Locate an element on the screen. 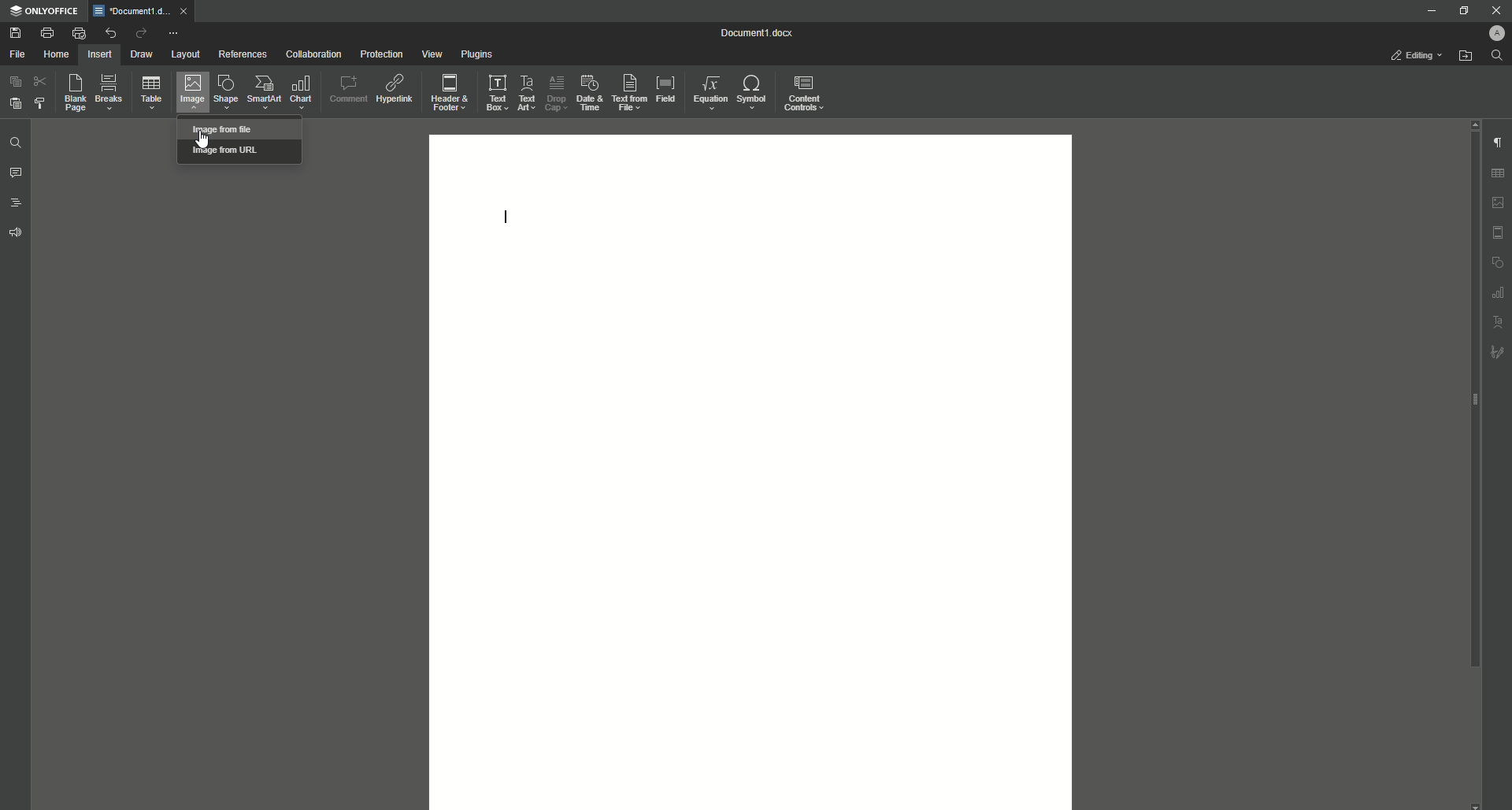 The image size is (1512, 810). Insert is located at coordinates (99, 54).